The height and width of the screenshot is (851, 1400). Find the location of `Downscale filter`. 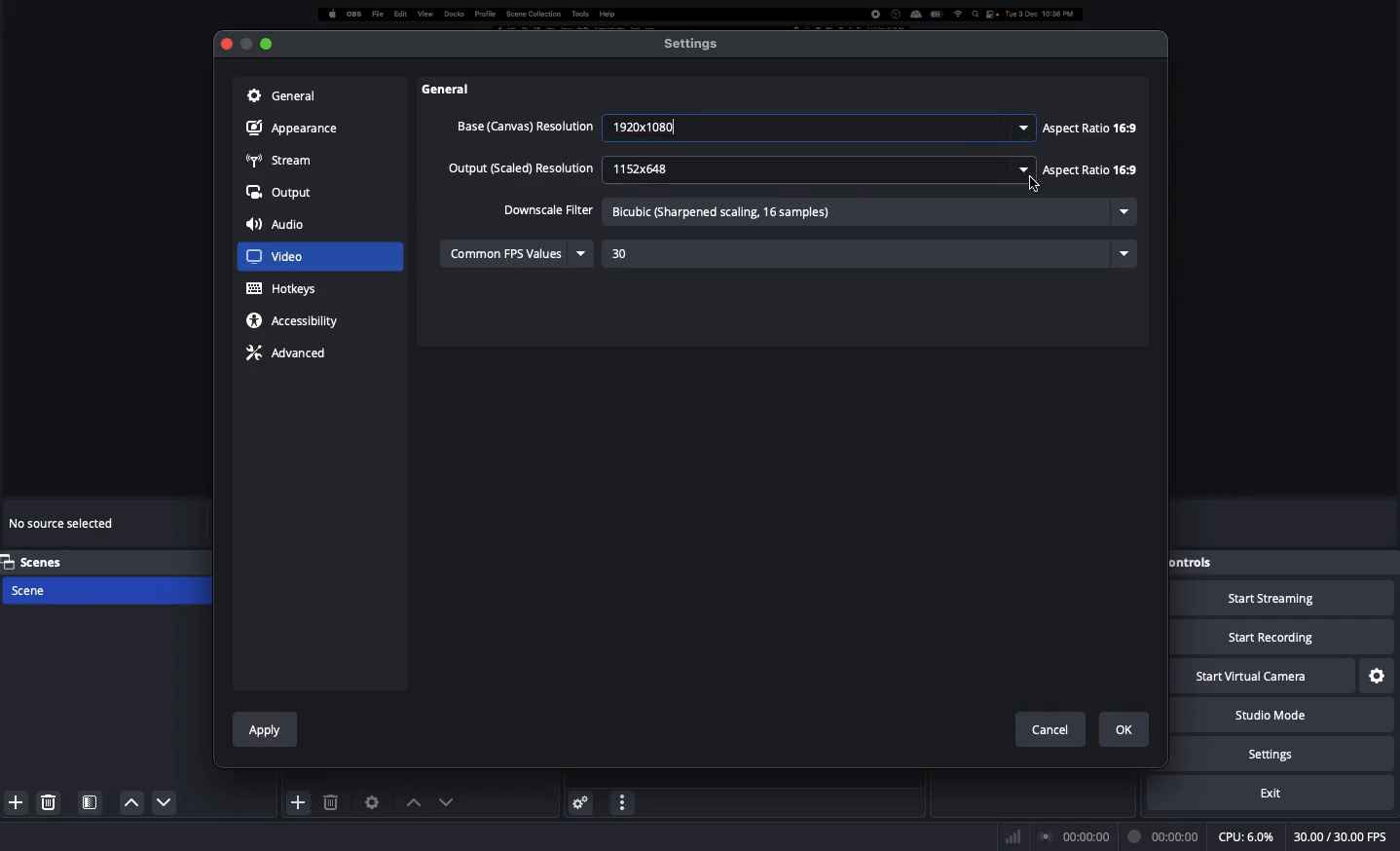

Downscale filter is located at coordinates (548, 208).